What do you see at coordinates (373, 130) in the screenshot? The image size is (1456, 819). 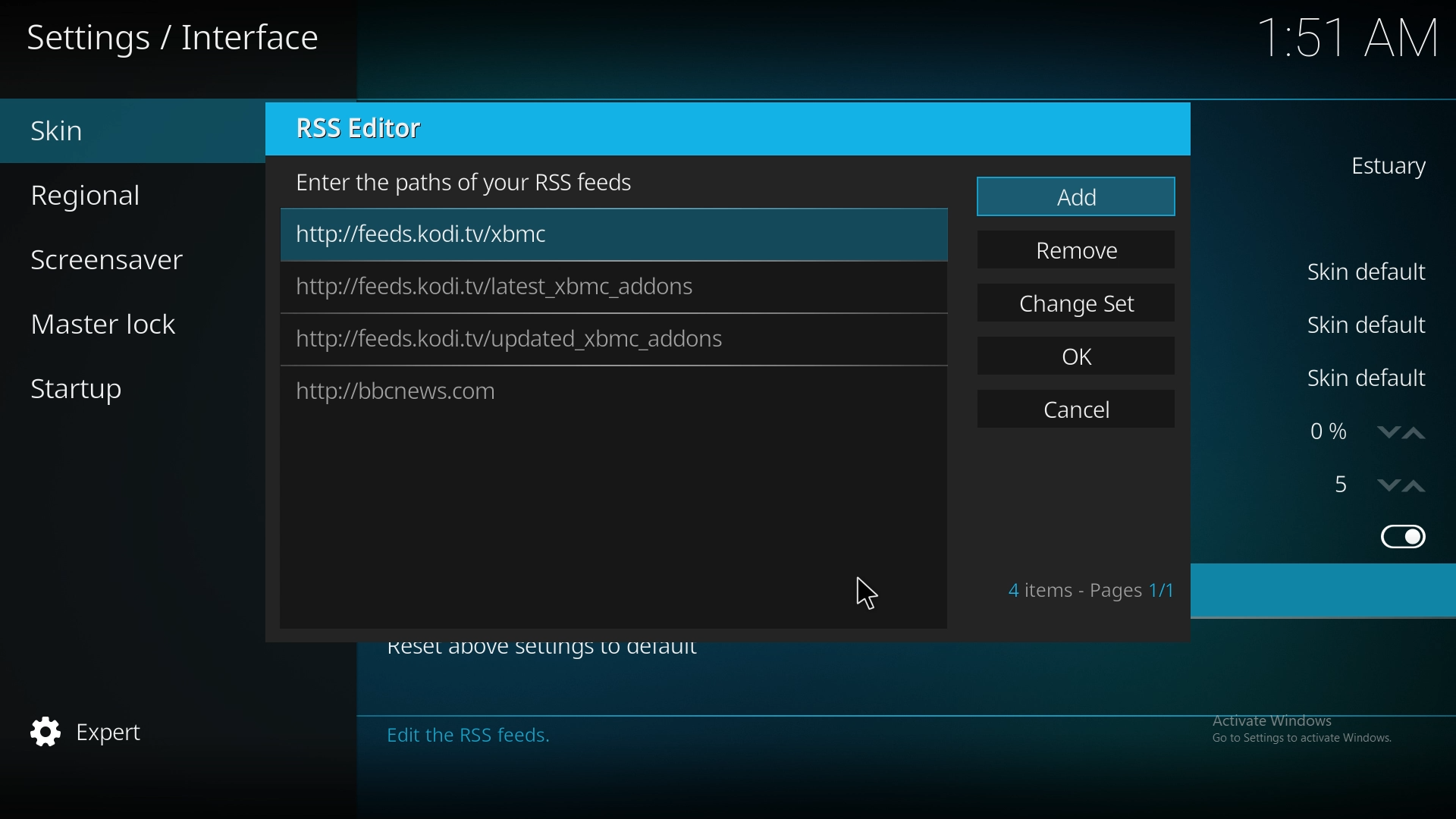 I see `rss editor` at bounding box center [373, 130].